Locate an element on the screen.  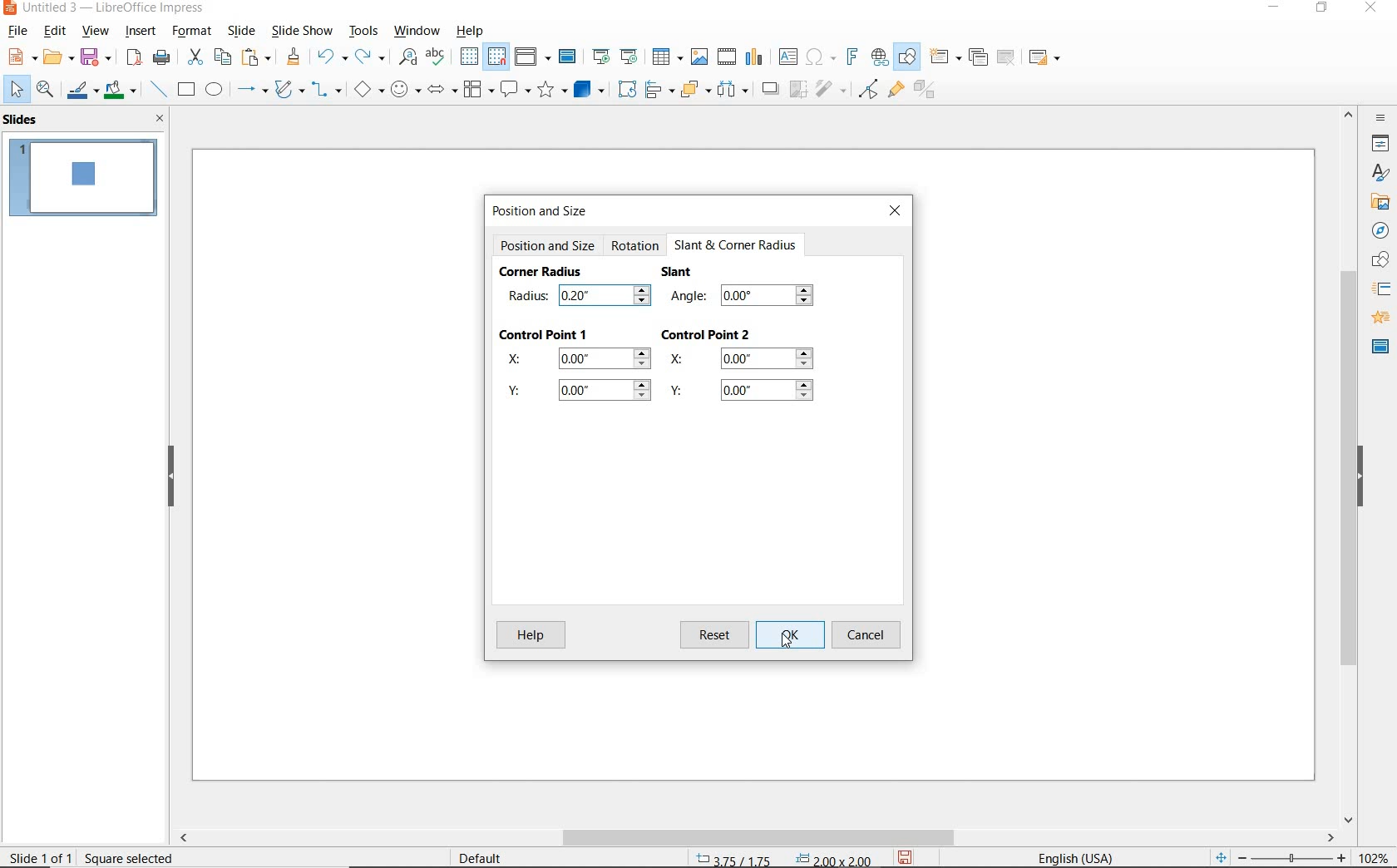
crop image is located at coordinates (799, 91).